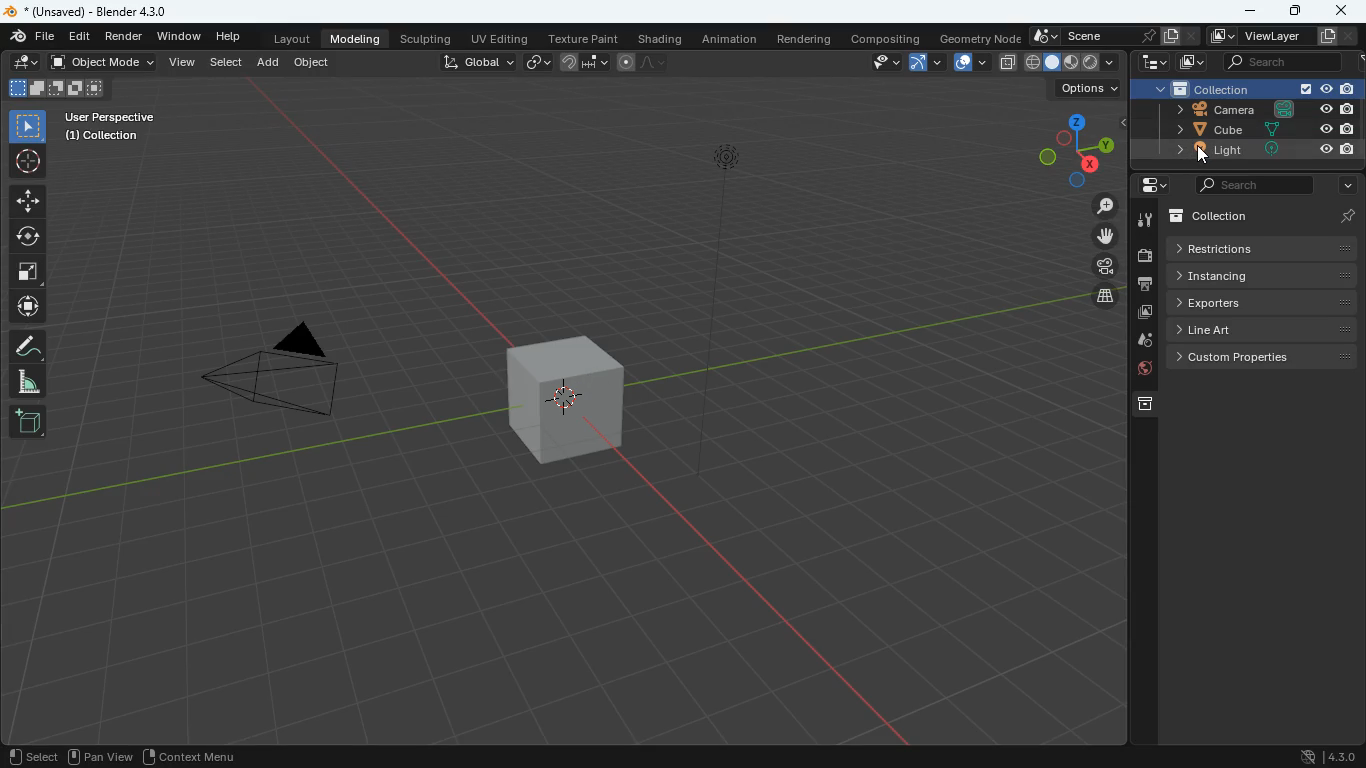 This screenshot has width=1366, height=768. Describe the element at coordinates (1153, 185) in the screenshot. I see `settings` at that location.